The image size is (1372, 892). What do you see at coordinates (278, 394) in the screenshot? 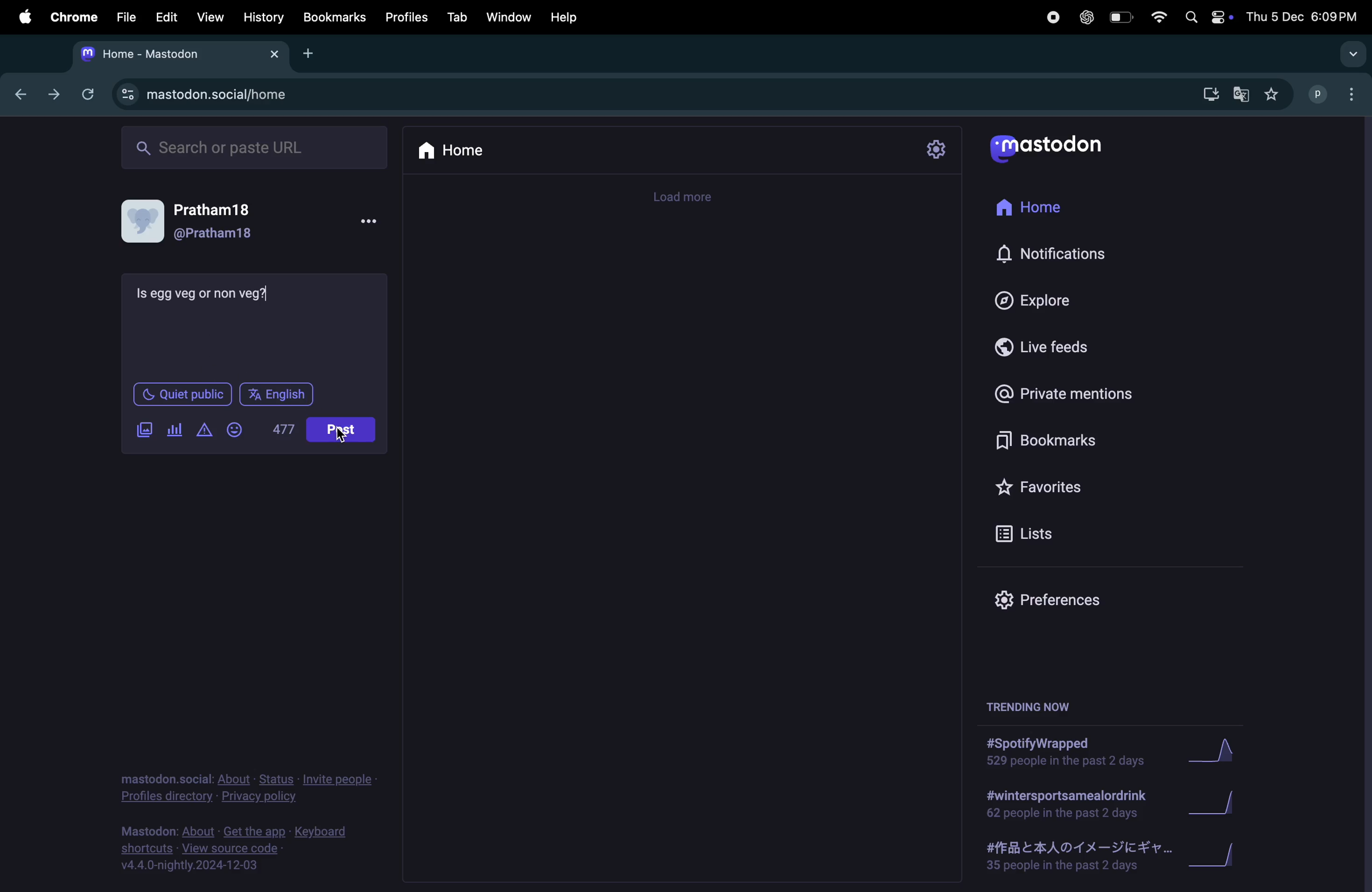
I see `english` at bounding box center [278, 394].